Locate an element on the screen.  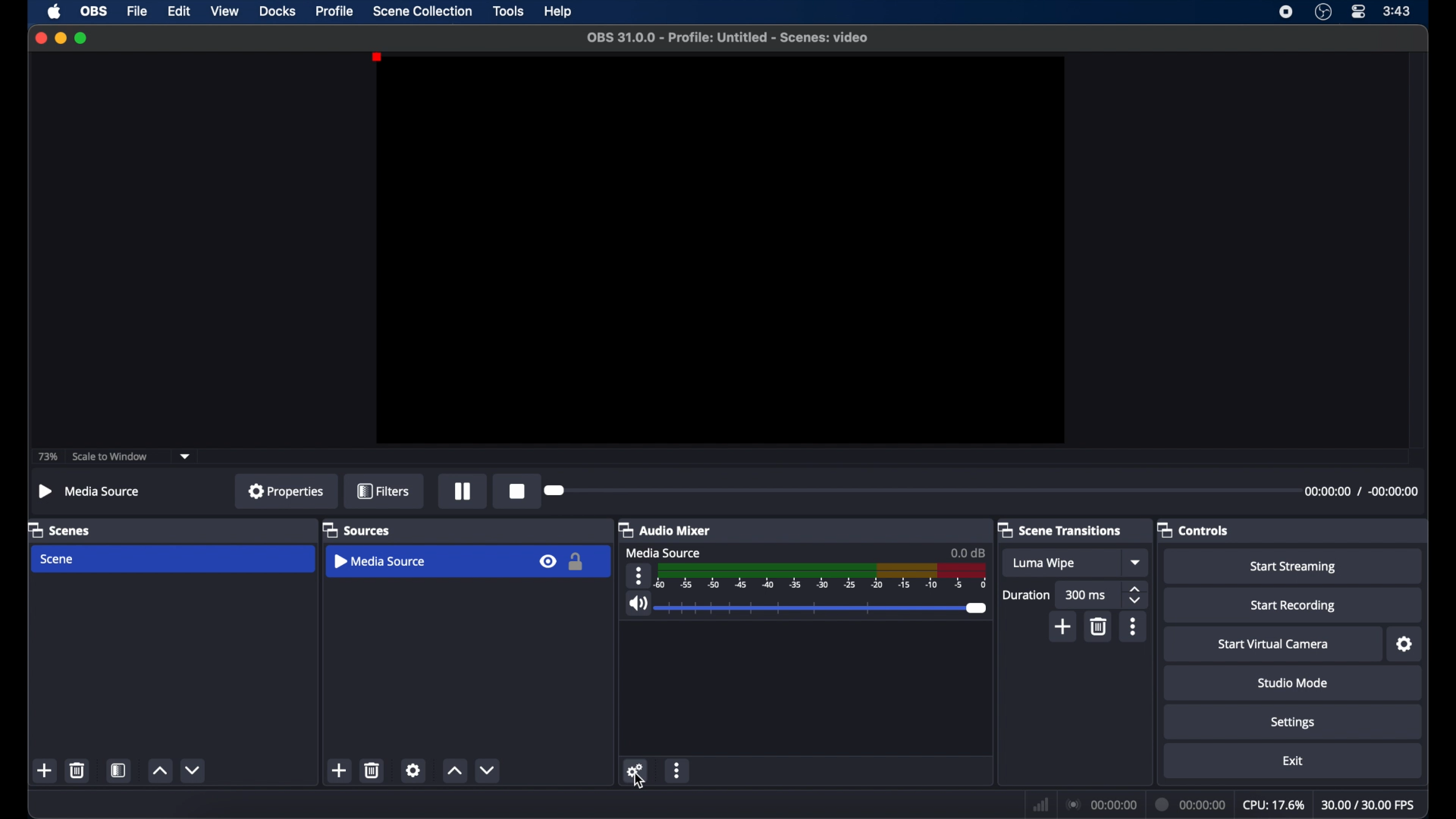
increment is located at coordinates (454, 771).